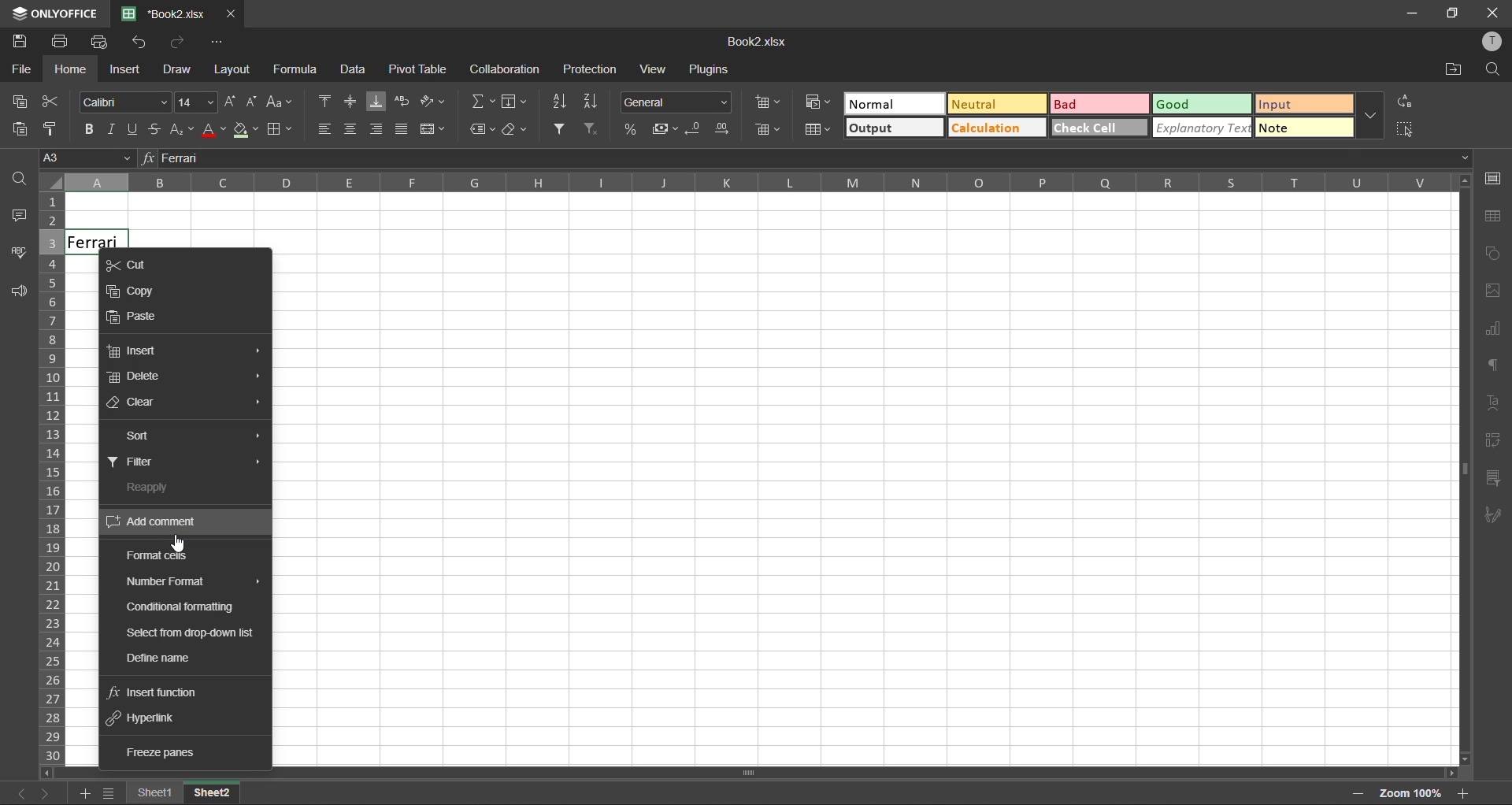 This screenshot has width=1512, height=805. Describe the element at coordinates (595, 131) in the screenshot. I see `clear filter` at that location.